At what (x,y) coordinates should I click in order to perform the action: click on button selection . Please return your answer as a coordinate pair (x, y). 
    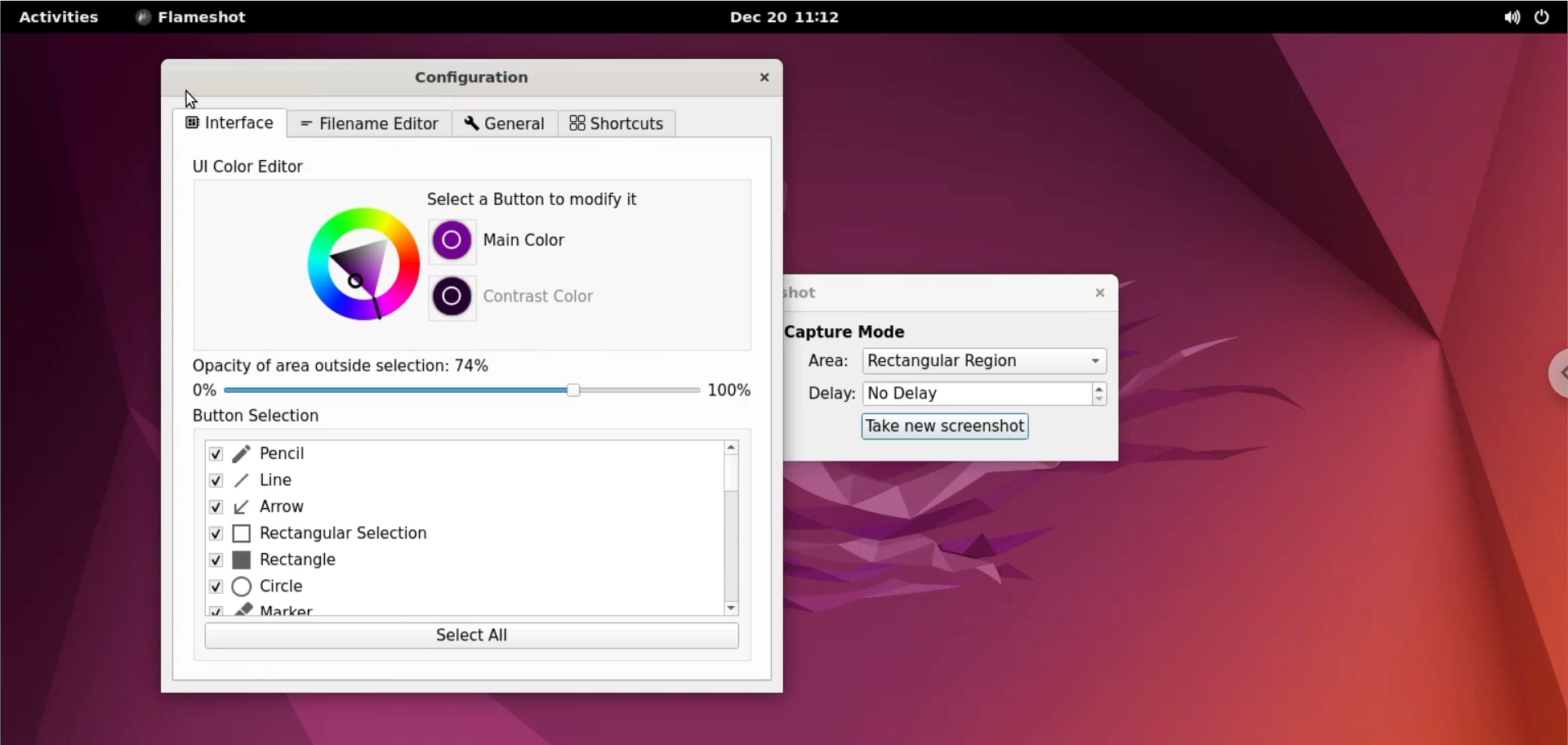
    Looking at the image, I should click on (261, 417).